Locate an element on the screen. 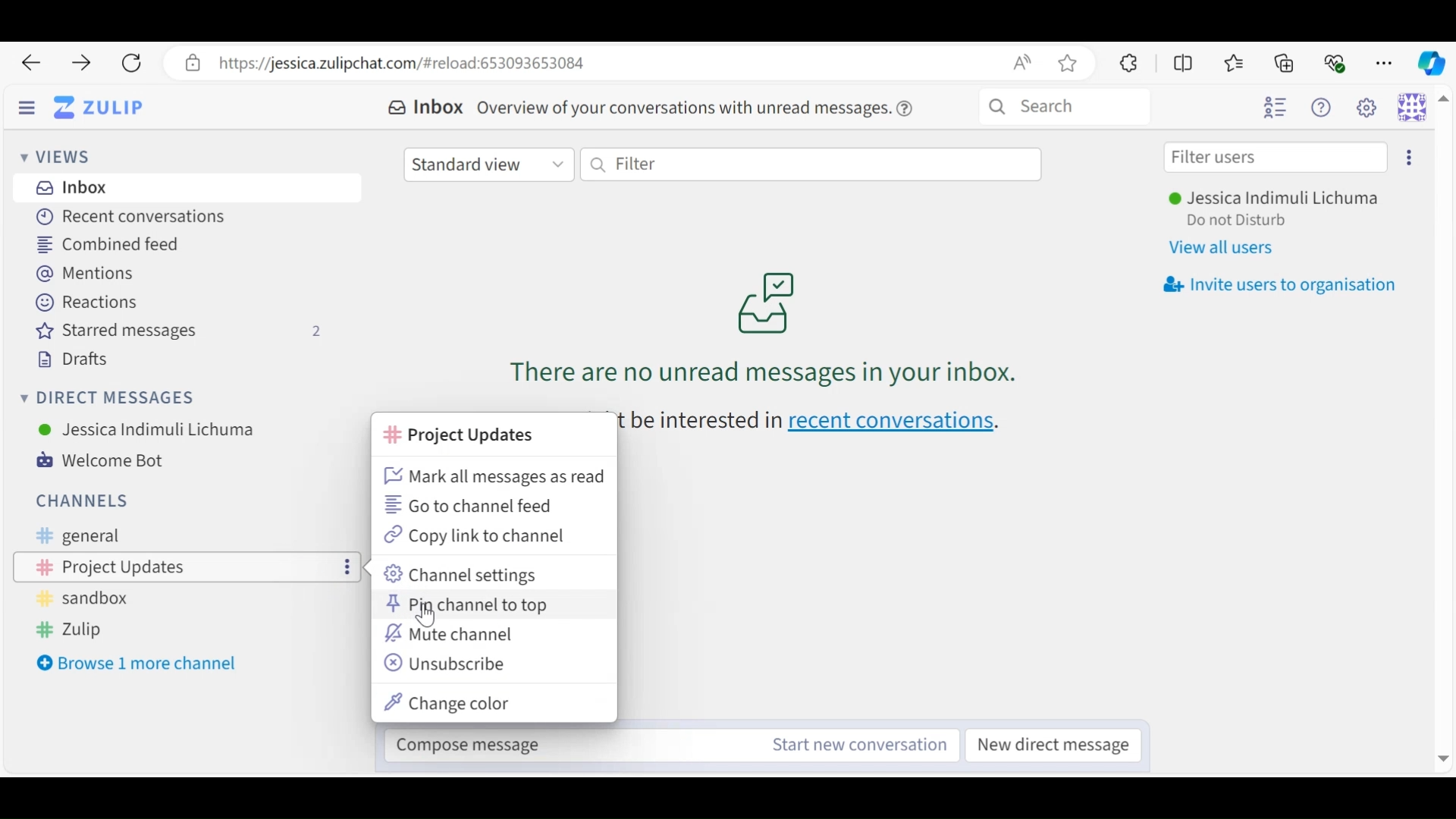 This screenshot has height=819, width=1456. Channel is located at coordinates (189, 598).